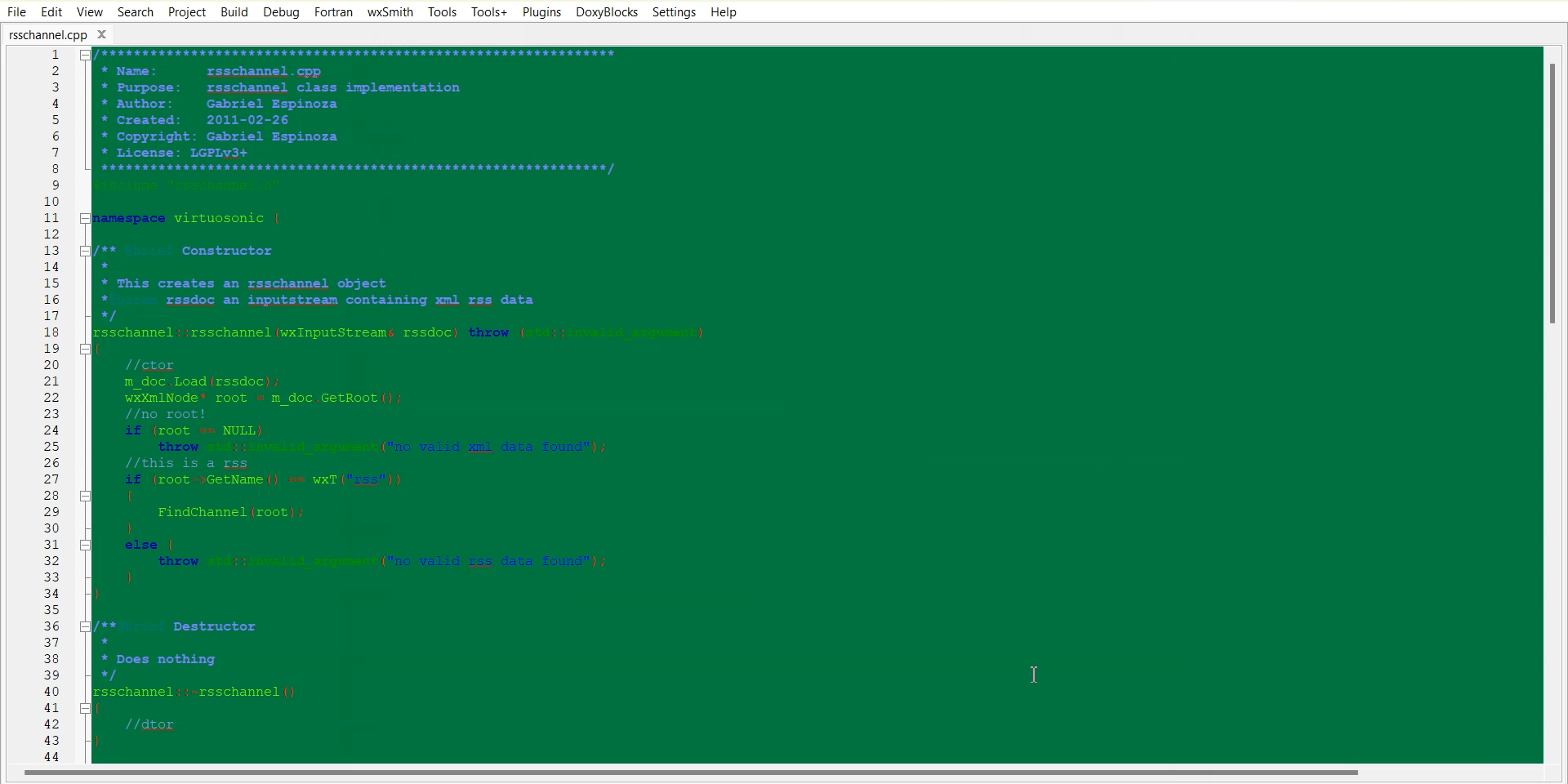  Describe the element at coordinates (136, 11) in the screenshot. I see `Search` at that location.